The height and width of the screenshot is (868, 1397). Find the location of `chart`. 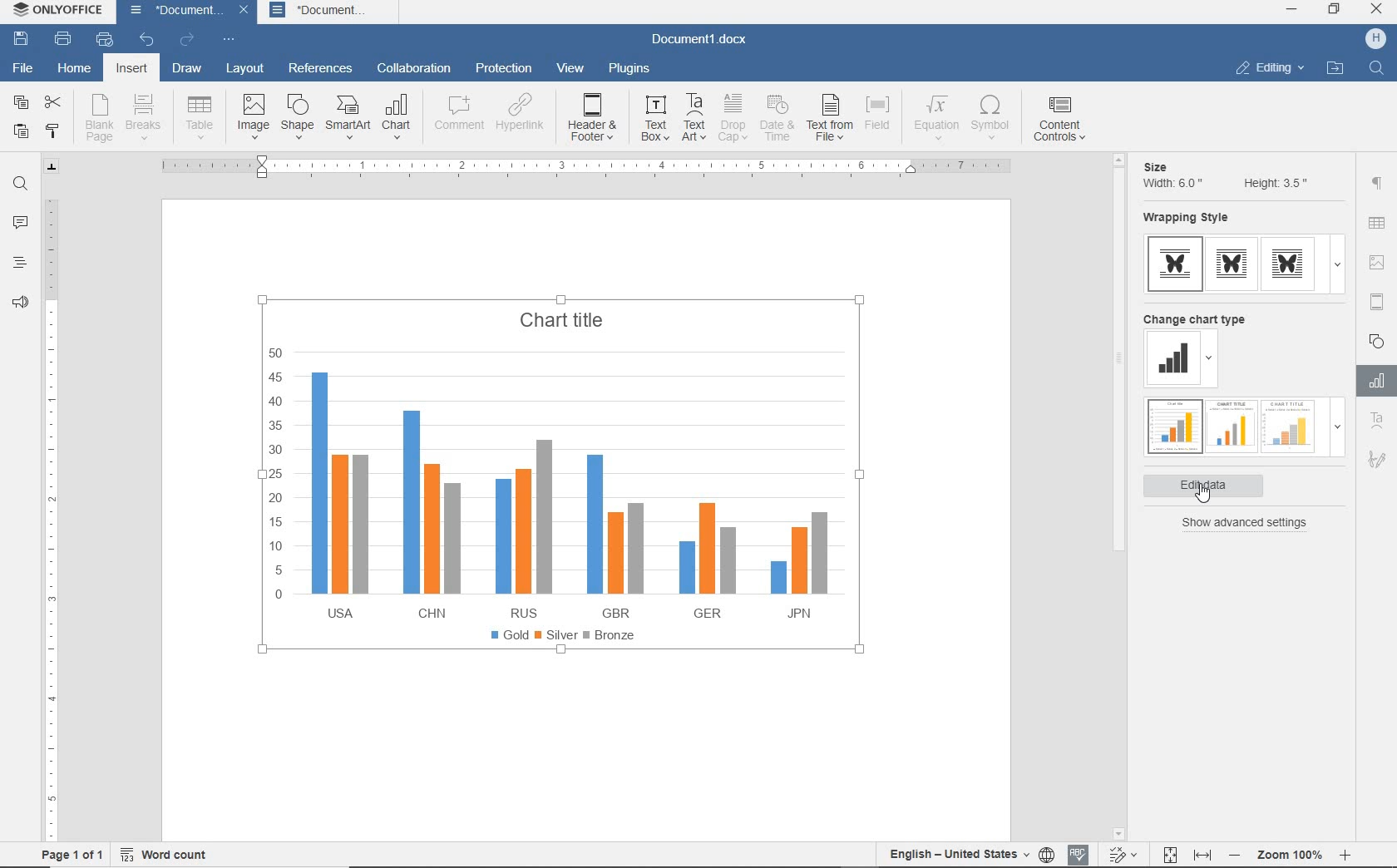

chart is located at coordinates (398, 117).